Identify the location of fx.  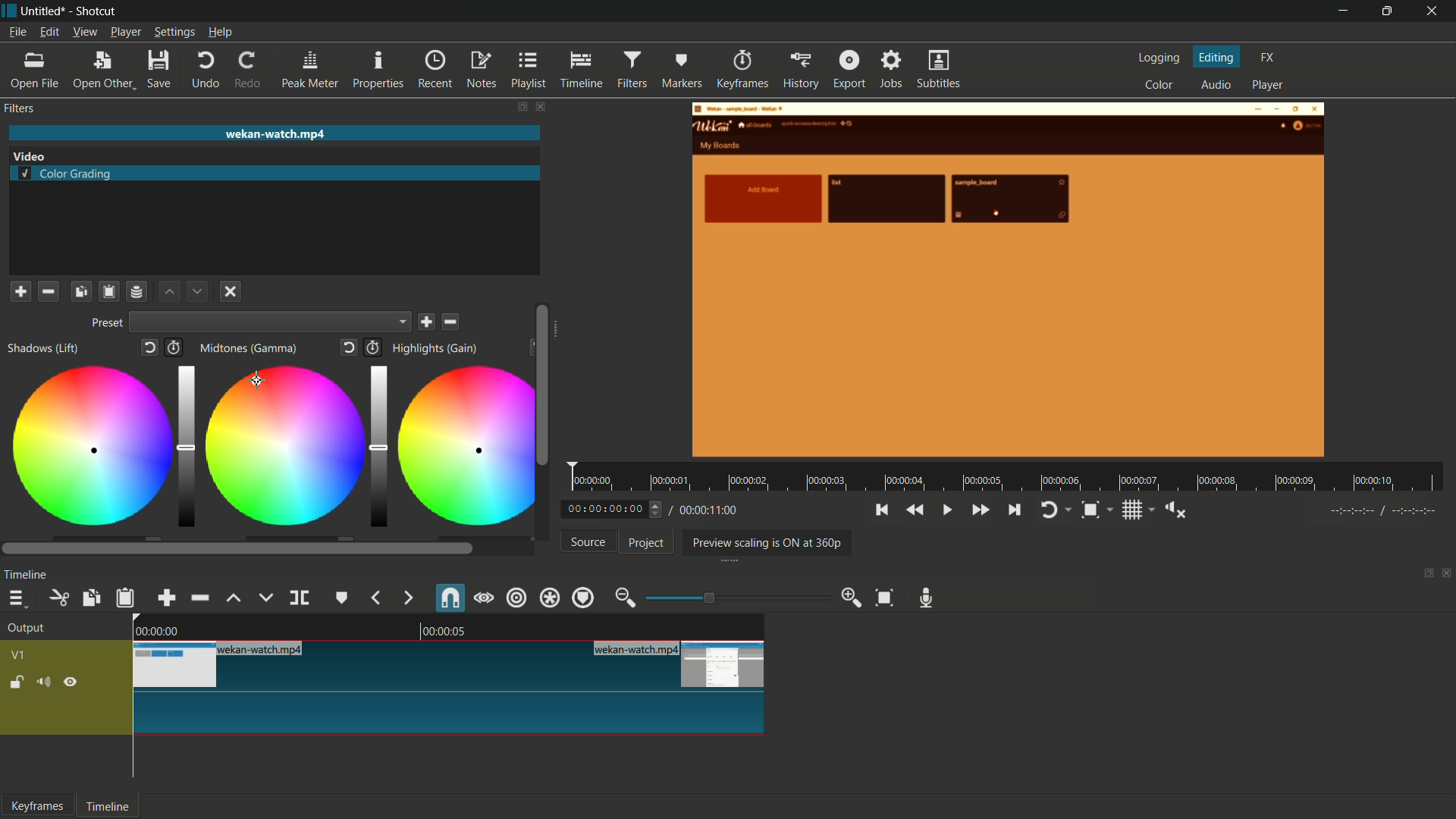
(1268, 58).